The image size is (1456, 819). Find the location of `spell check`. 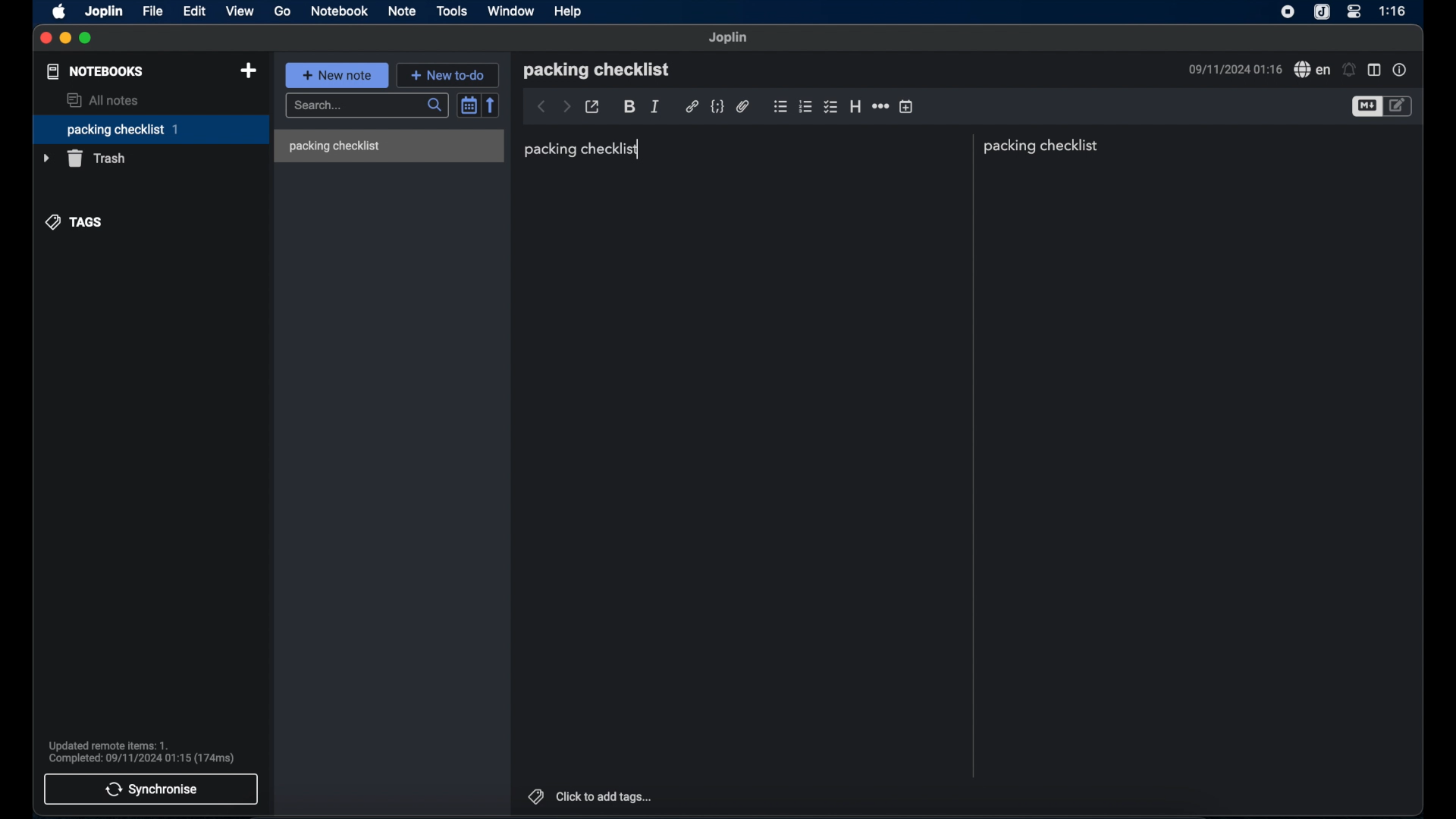

spell check is located at coordinates (1312, 70).